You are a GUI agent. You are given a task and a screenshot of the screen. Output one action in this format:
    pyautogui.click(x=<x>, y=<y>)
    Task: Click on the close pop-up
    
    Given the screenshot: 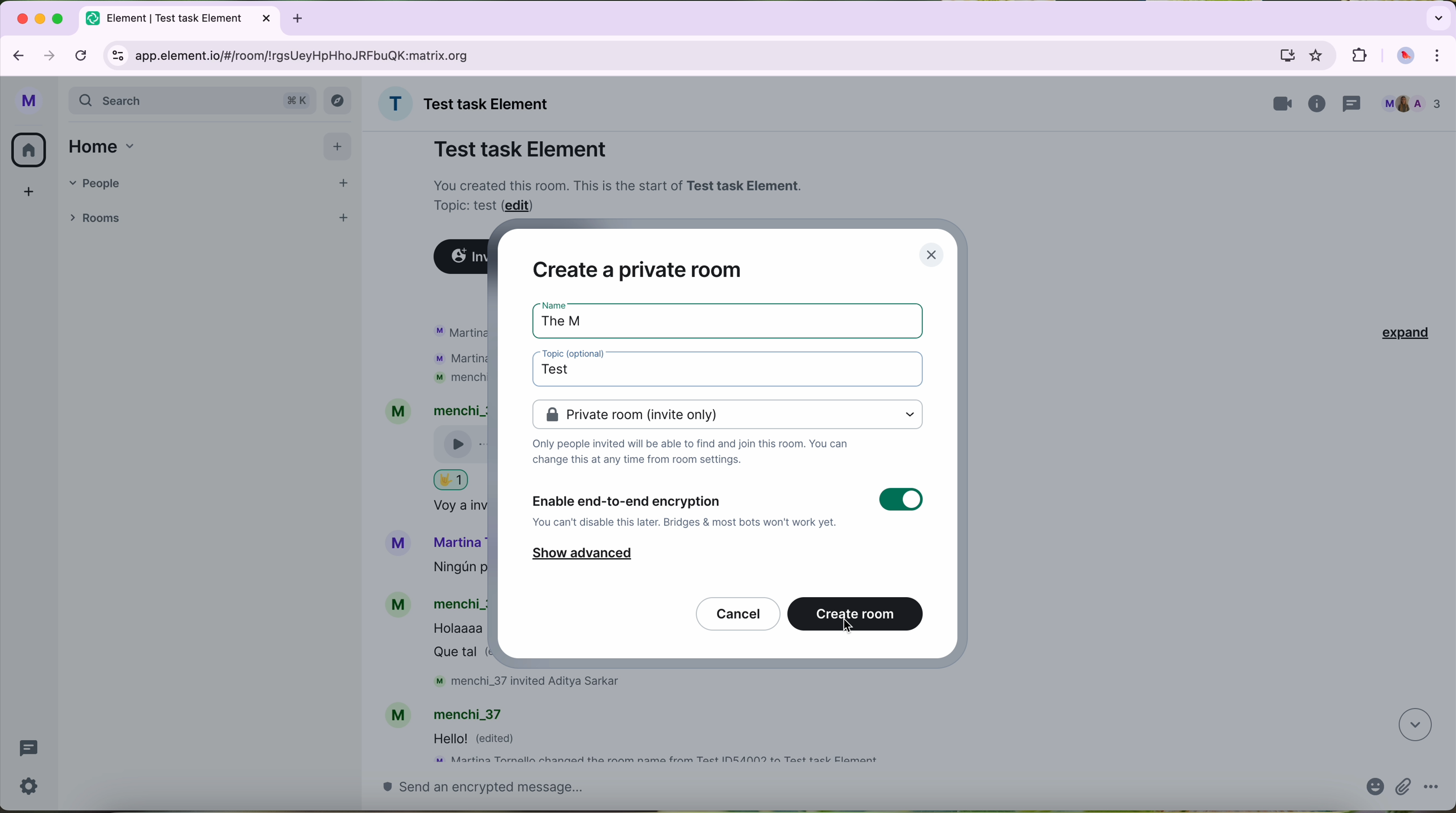 What is the action you would take?
    pyautogui.click(x=934, y=254)
    